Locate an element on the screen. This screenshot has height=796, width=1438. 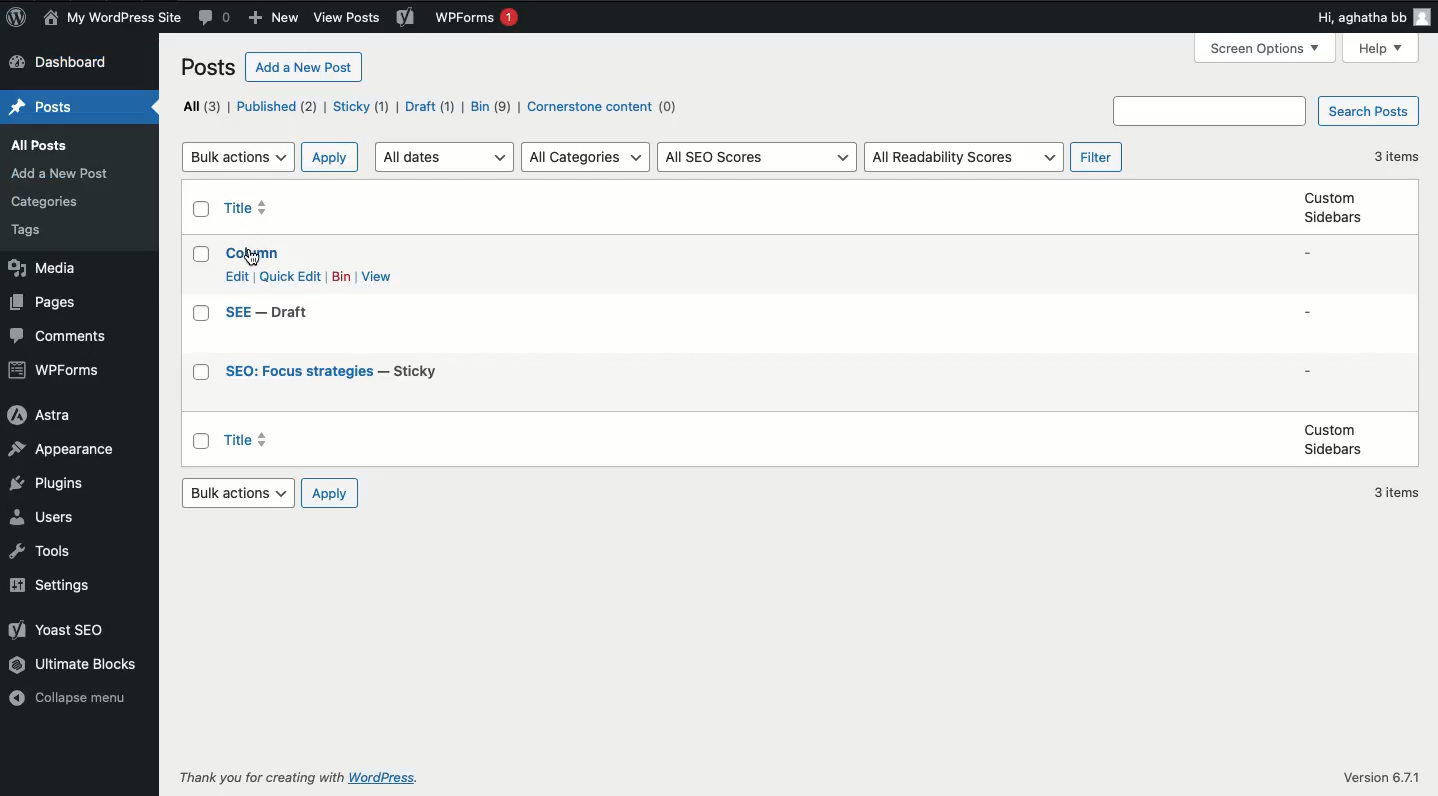
 is located at coordinates (34, 230).